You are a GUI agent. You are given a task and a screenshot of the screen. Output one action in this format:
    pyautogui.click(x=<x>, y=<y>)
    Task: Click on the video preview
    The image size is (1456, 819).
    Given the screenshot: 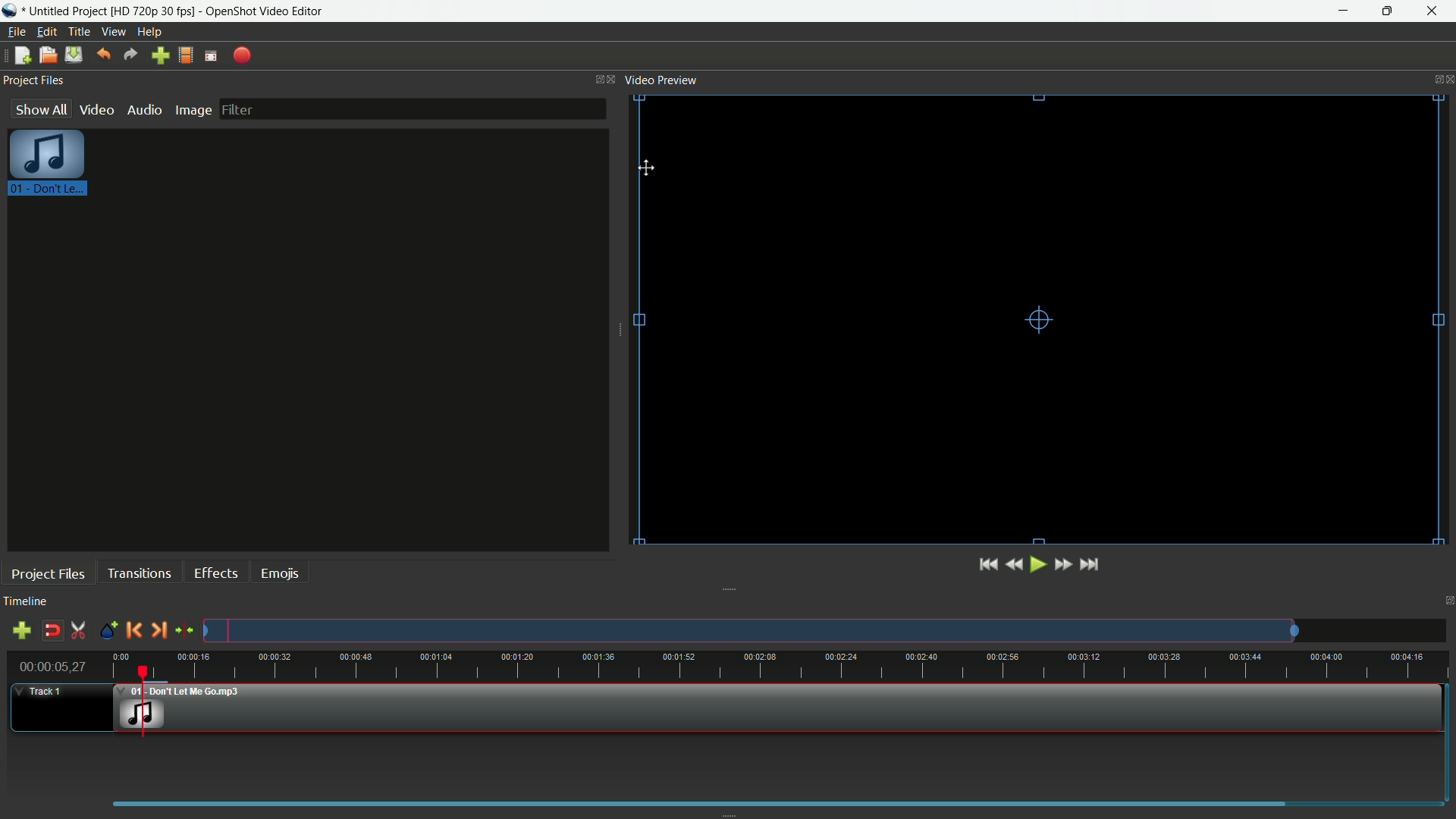 What is the action you would take?
    pyautogui.click(x=665, y=79)
    